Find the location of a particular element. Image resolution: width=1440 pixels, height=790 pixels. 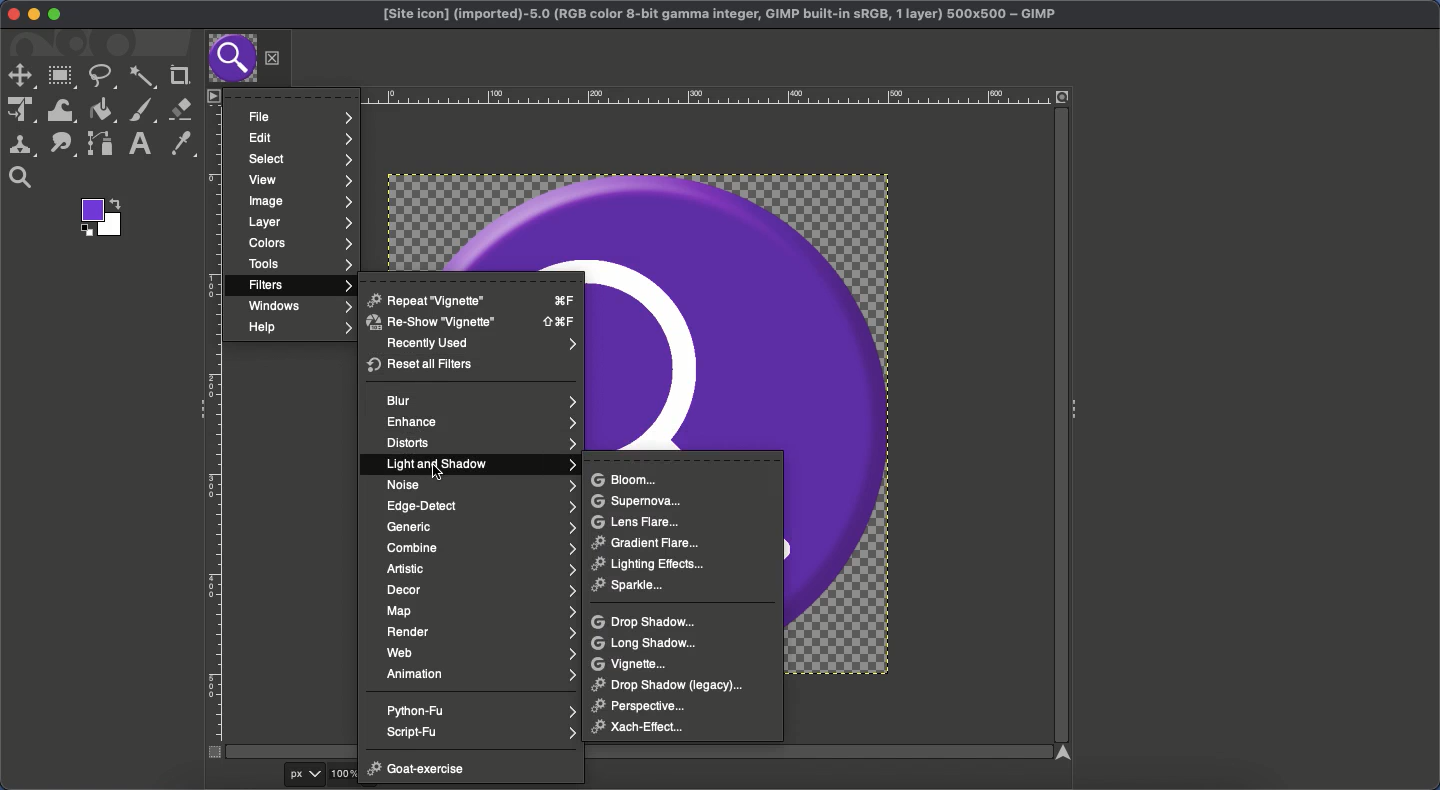

Layers is located at coordinates (300, 223).